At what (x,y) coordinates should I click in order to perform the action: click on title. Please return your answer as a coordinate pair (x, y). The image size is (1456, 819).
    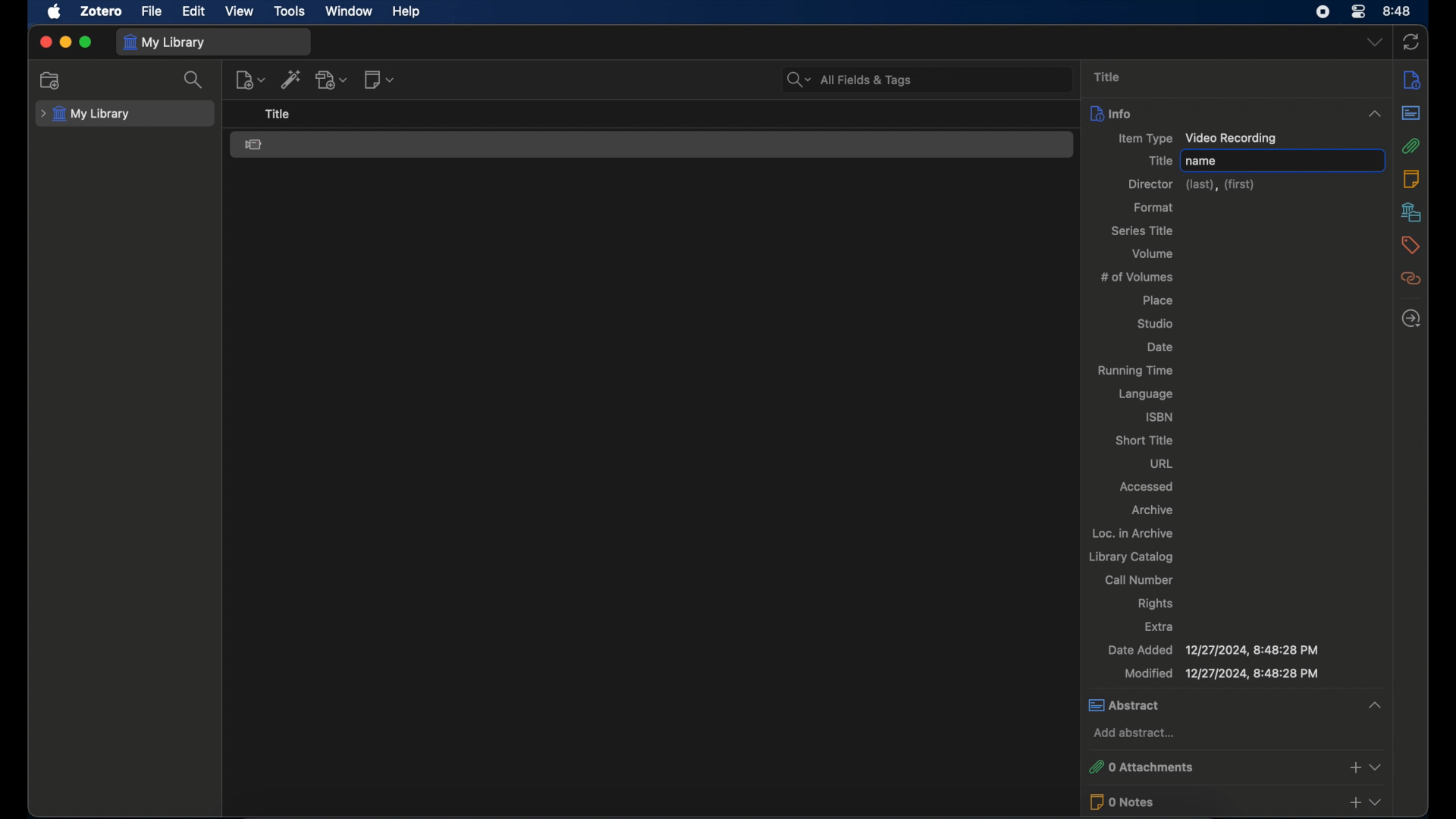
    Looking at the image, I should click on (1109, 77).